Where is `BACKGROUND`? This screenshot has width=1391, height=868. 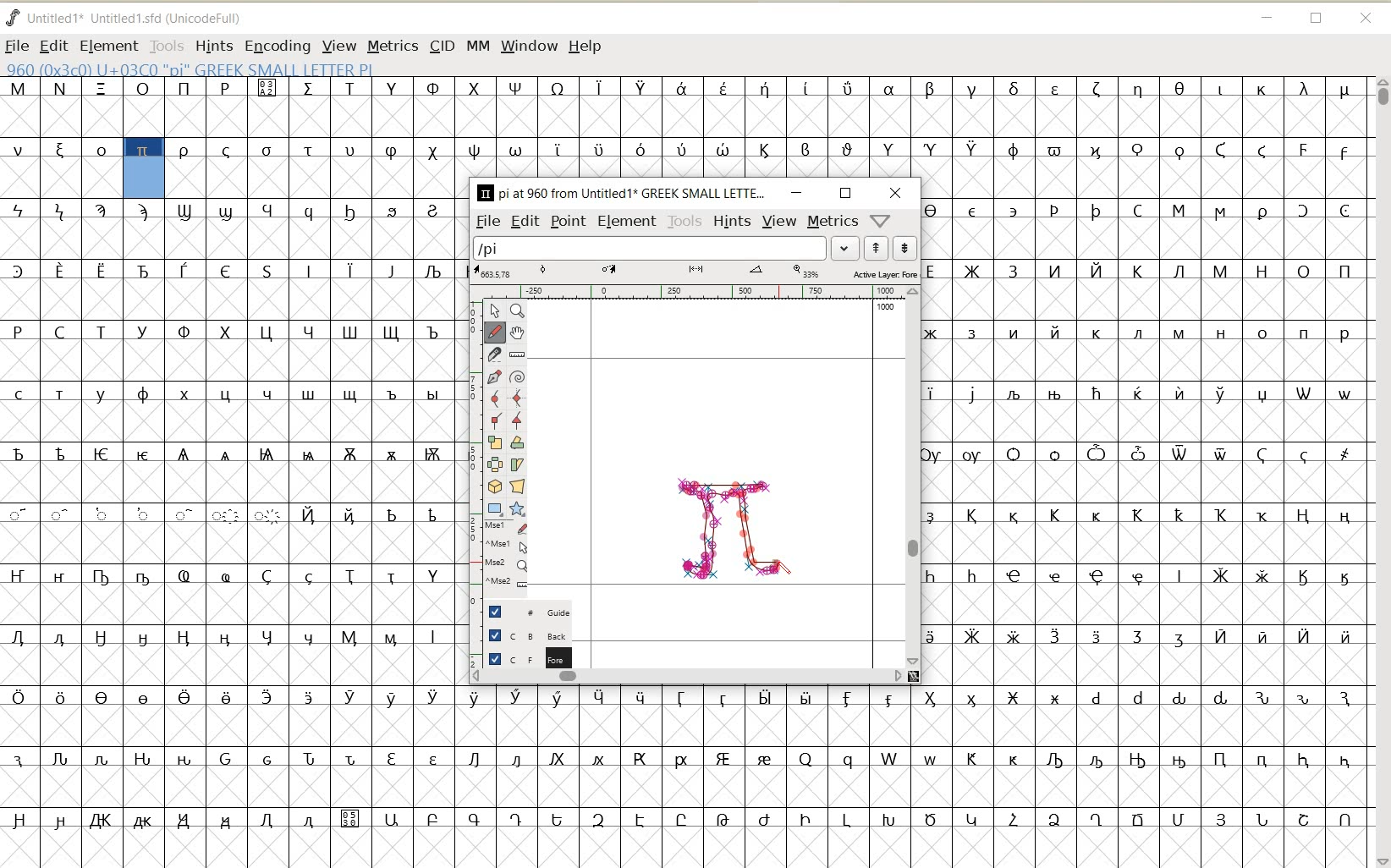
BACKGROUND is located at coordinates (520, 658).